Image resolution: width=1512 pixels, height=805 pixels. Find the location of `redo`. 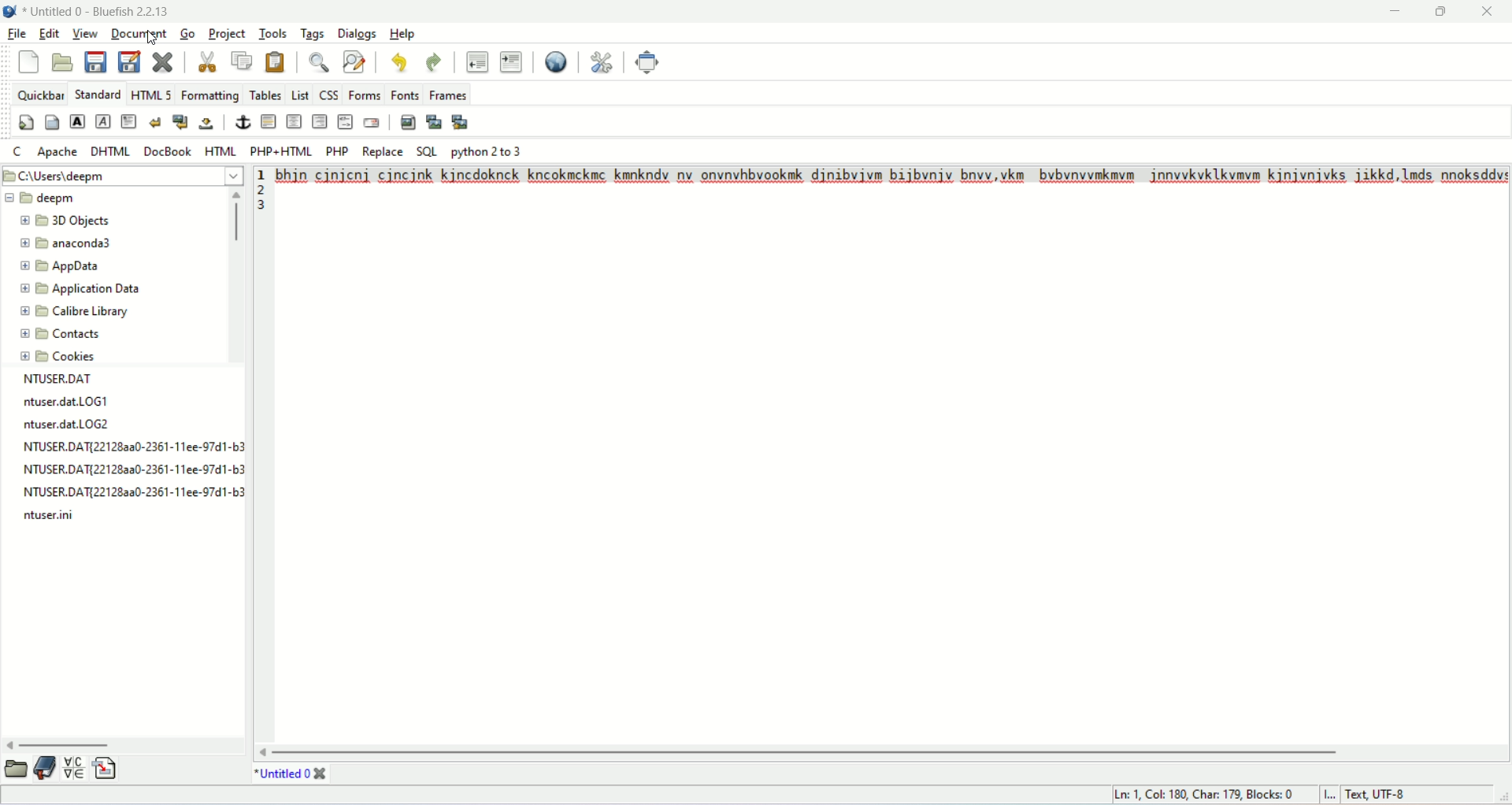

redo is located at coordinates (435, 65).